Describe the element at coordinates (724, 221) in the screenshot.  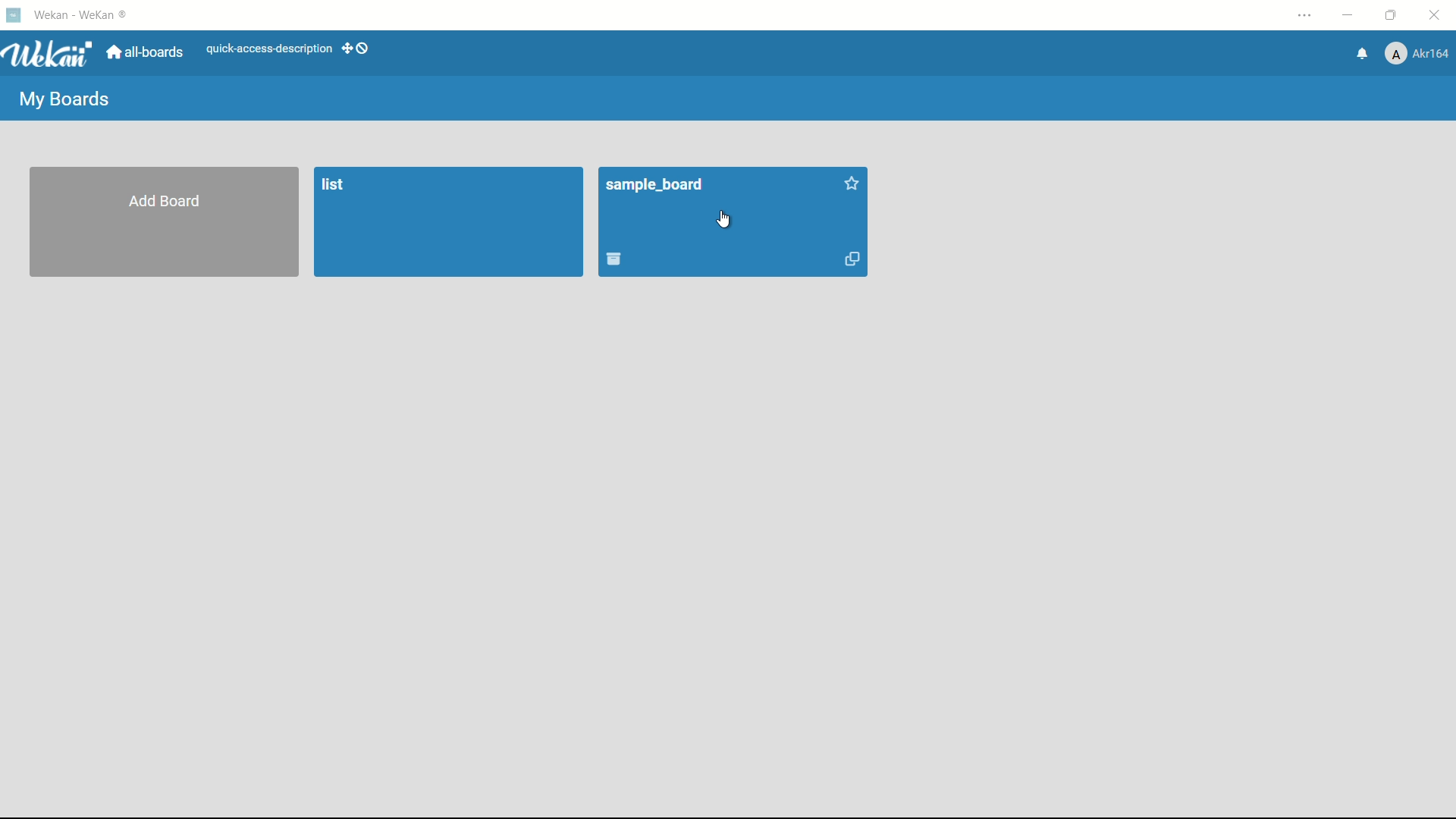
I see `cursor` at that location.